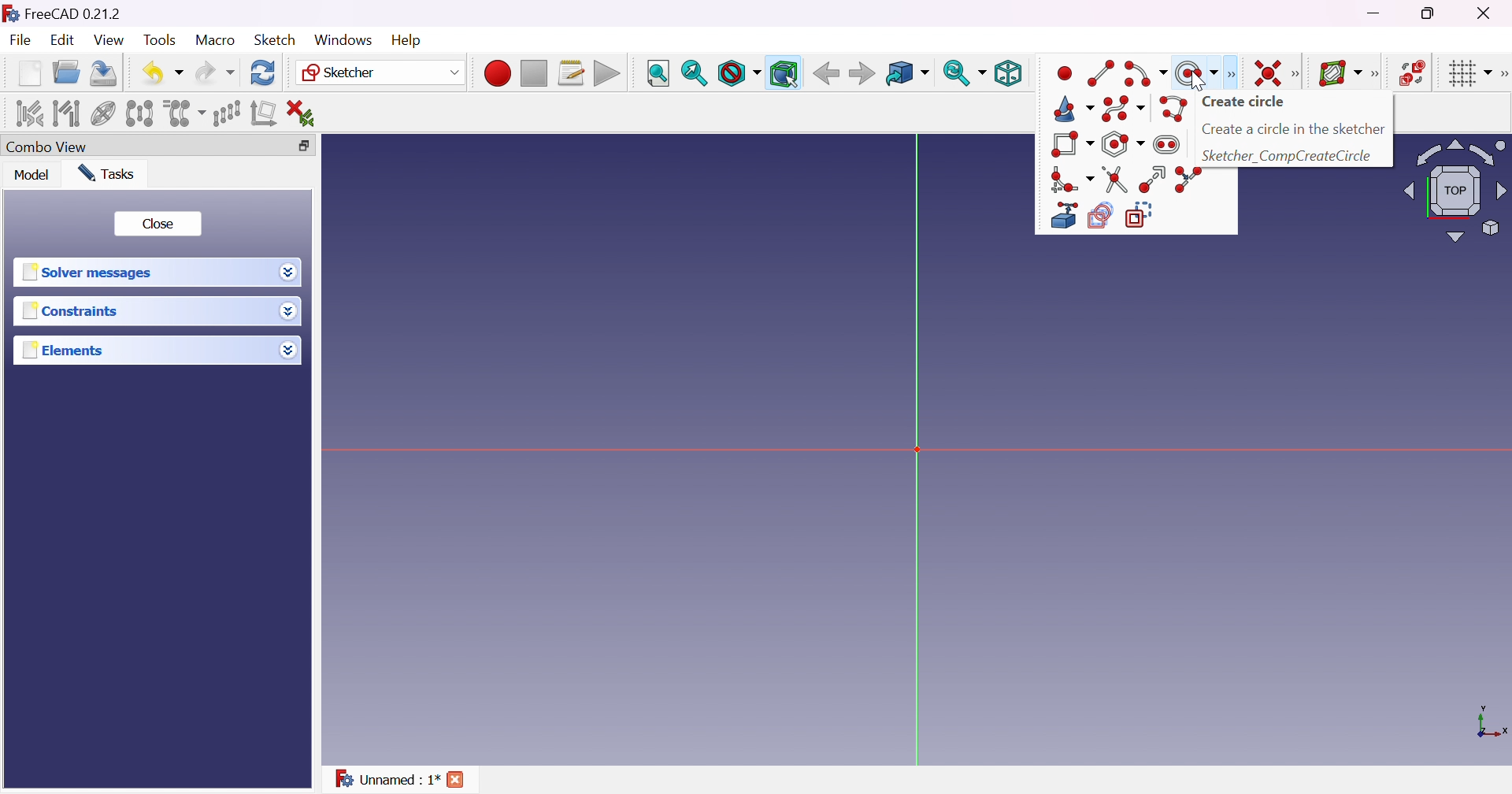 The width and height of the screenshot is (1512, 794). I want to click on [Sketcher edit tools], so click(1503, 72).